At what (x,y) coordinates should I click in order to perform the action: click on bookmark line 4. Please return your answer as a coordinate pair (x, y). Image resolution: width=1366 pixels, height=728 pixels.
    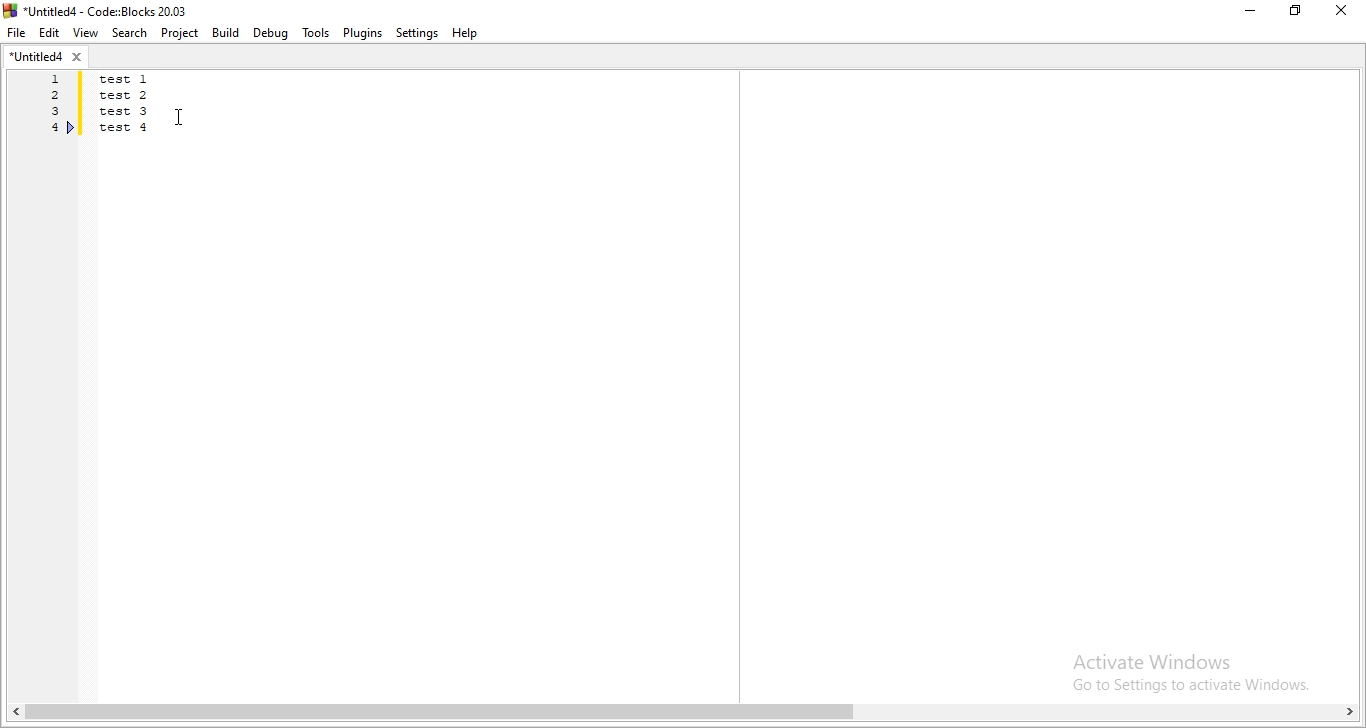
    Looking at the image, I should click on (71, 127).